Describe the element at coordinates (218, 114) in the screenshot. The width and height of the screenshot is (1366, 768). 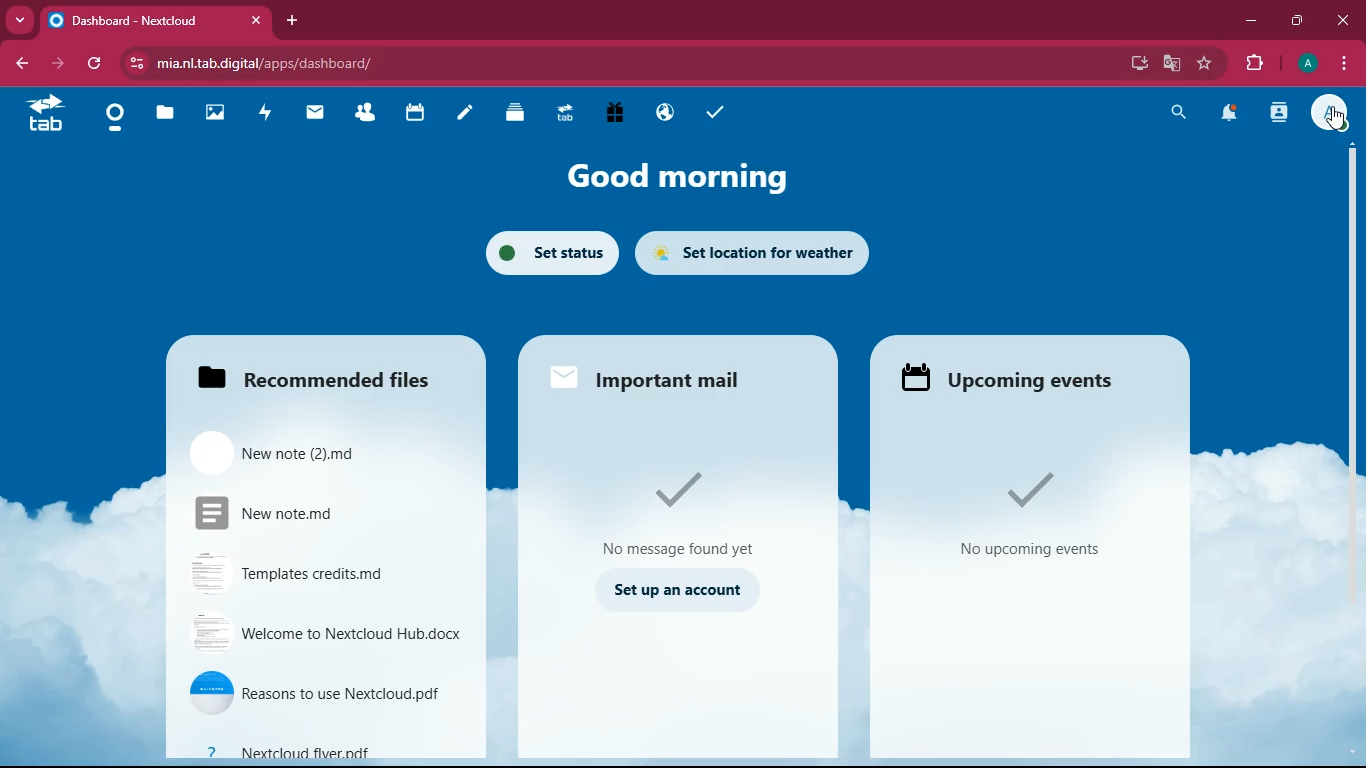
I see `images` at that location.